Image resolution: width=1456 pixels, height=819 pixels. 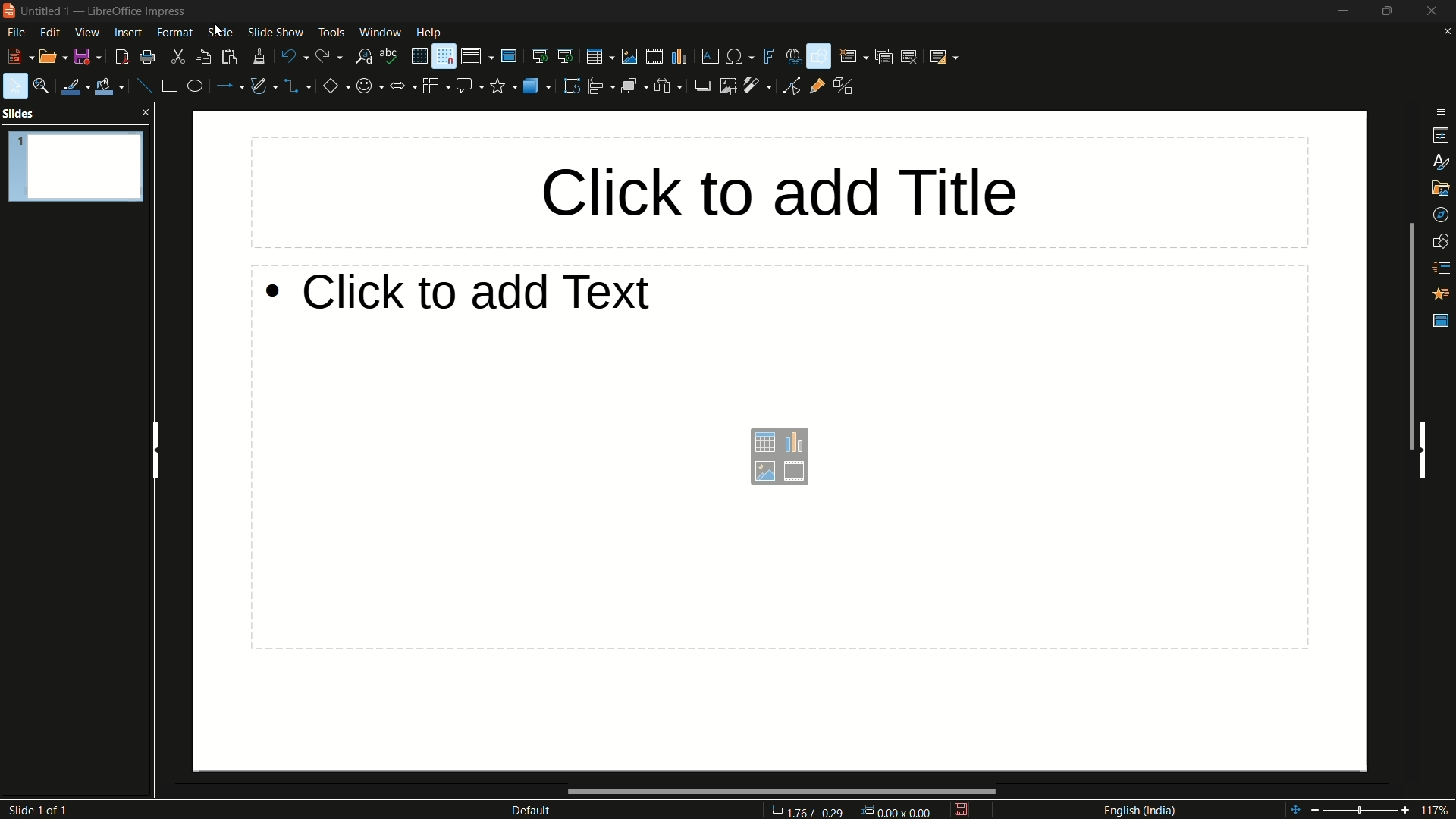 What do you see at coordinates (567, 56) in the screenshot?
I see `start from current slide` at bounding box center [567, 56].